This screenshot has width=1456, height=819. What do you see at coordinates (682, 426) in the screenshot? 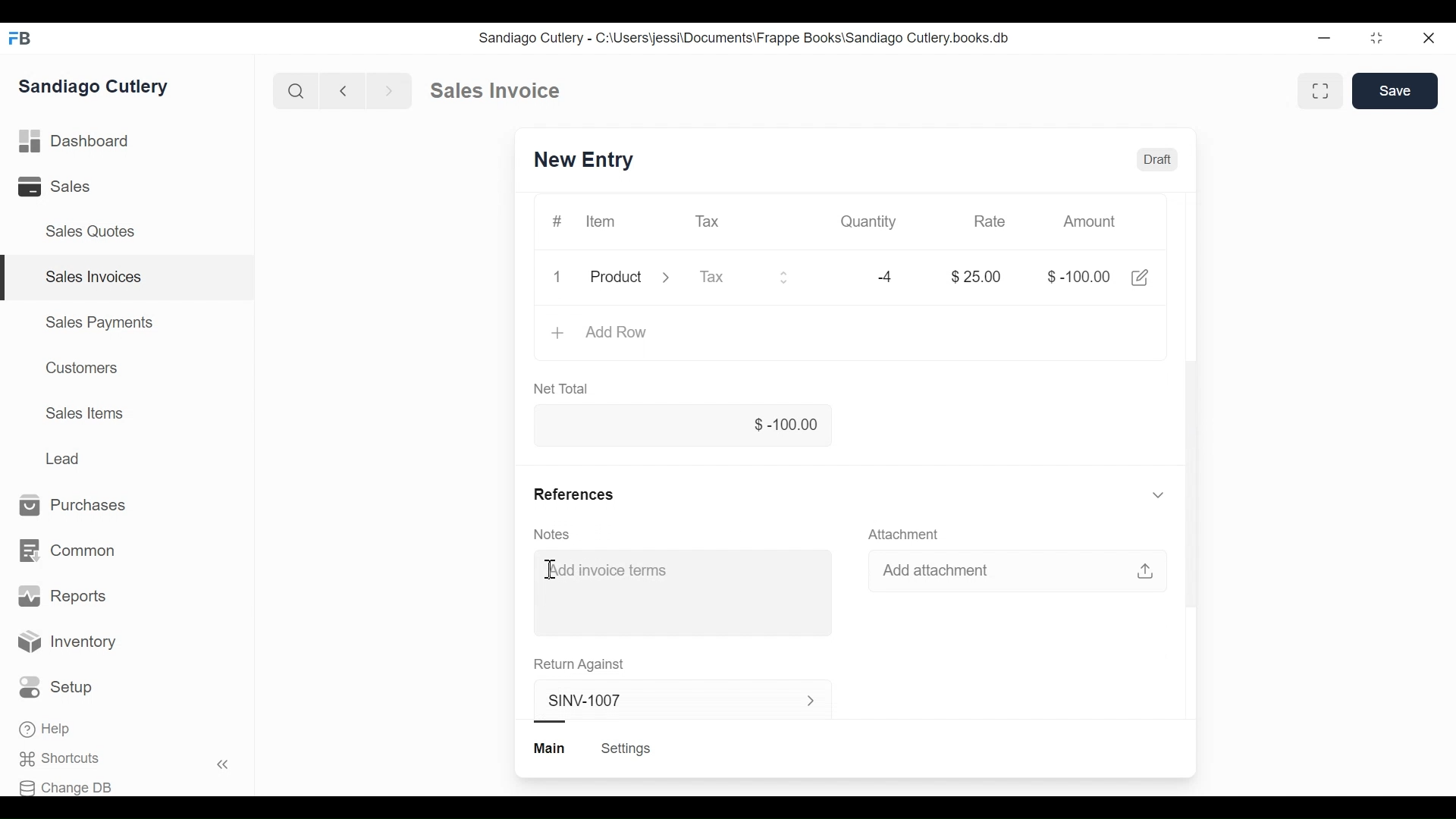
I see `$-100.00` at bounding box center [682, 426].